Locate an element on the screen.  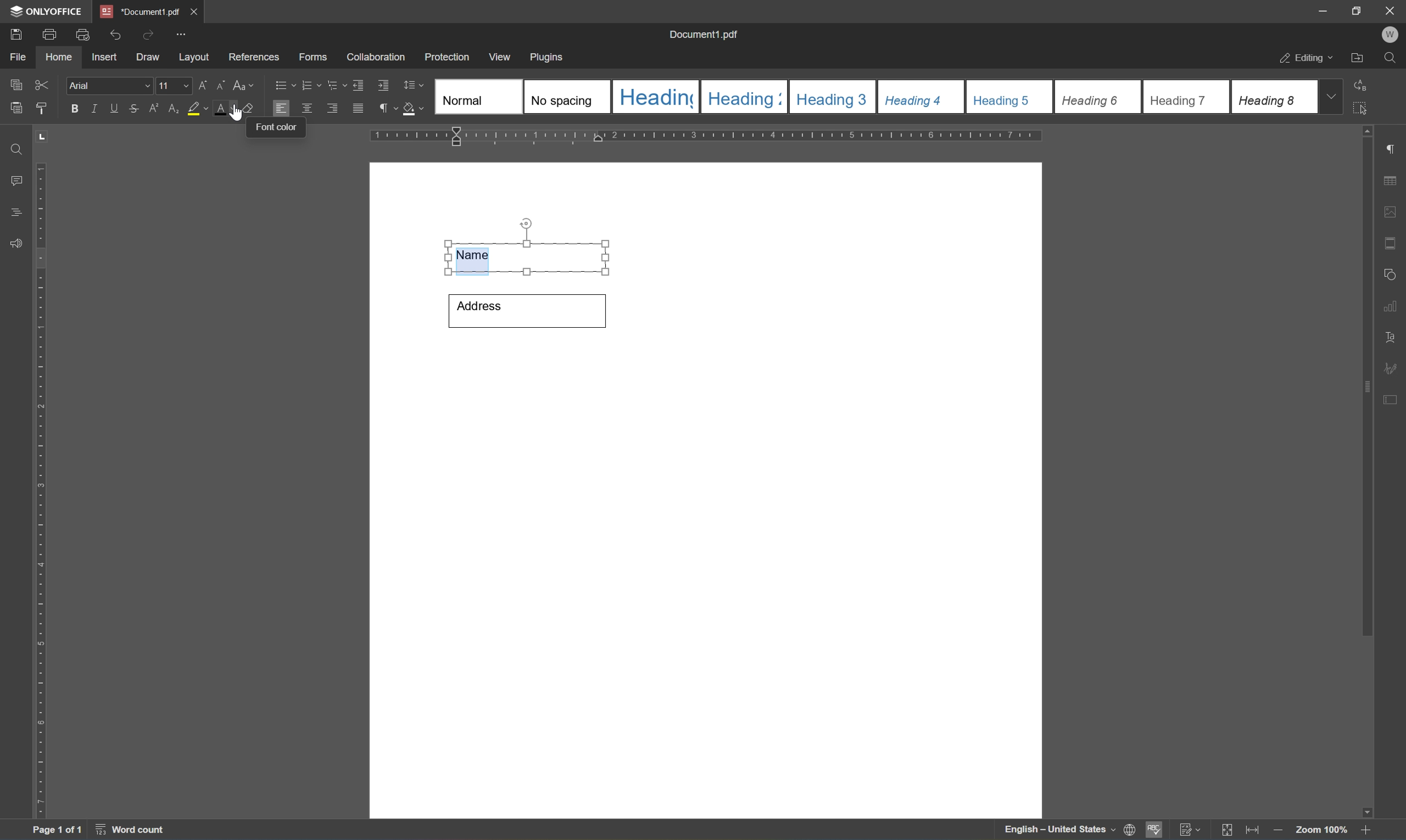
multilevel list is located at coordinates (335, 85).